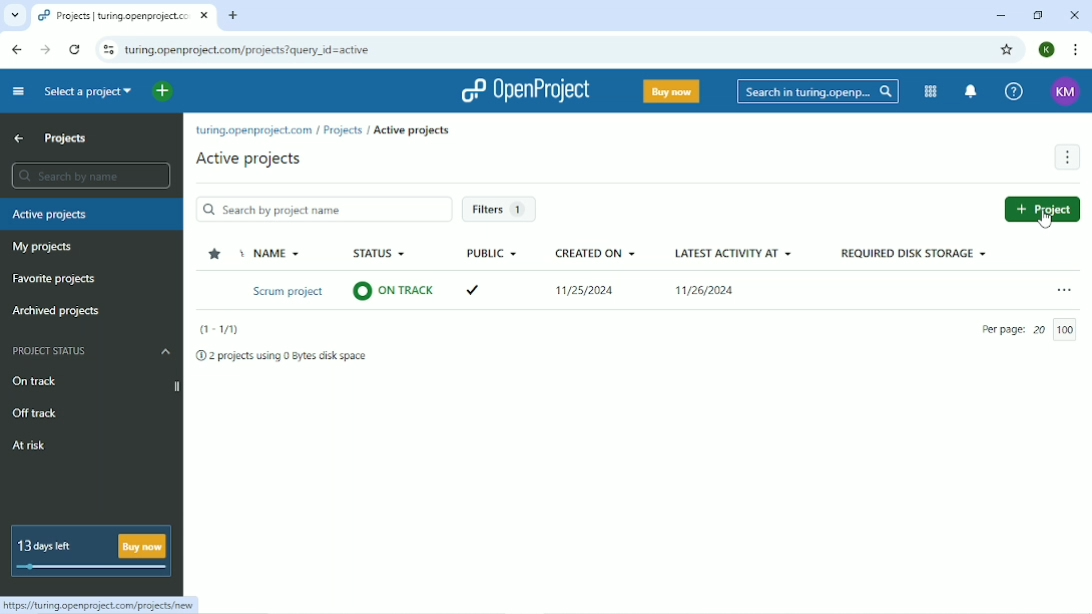 This screenshot has height=614, width=1092. Describe the element at coordinates (1033, 330) in the screenshot. I see `Per page: 20/100` at that location.